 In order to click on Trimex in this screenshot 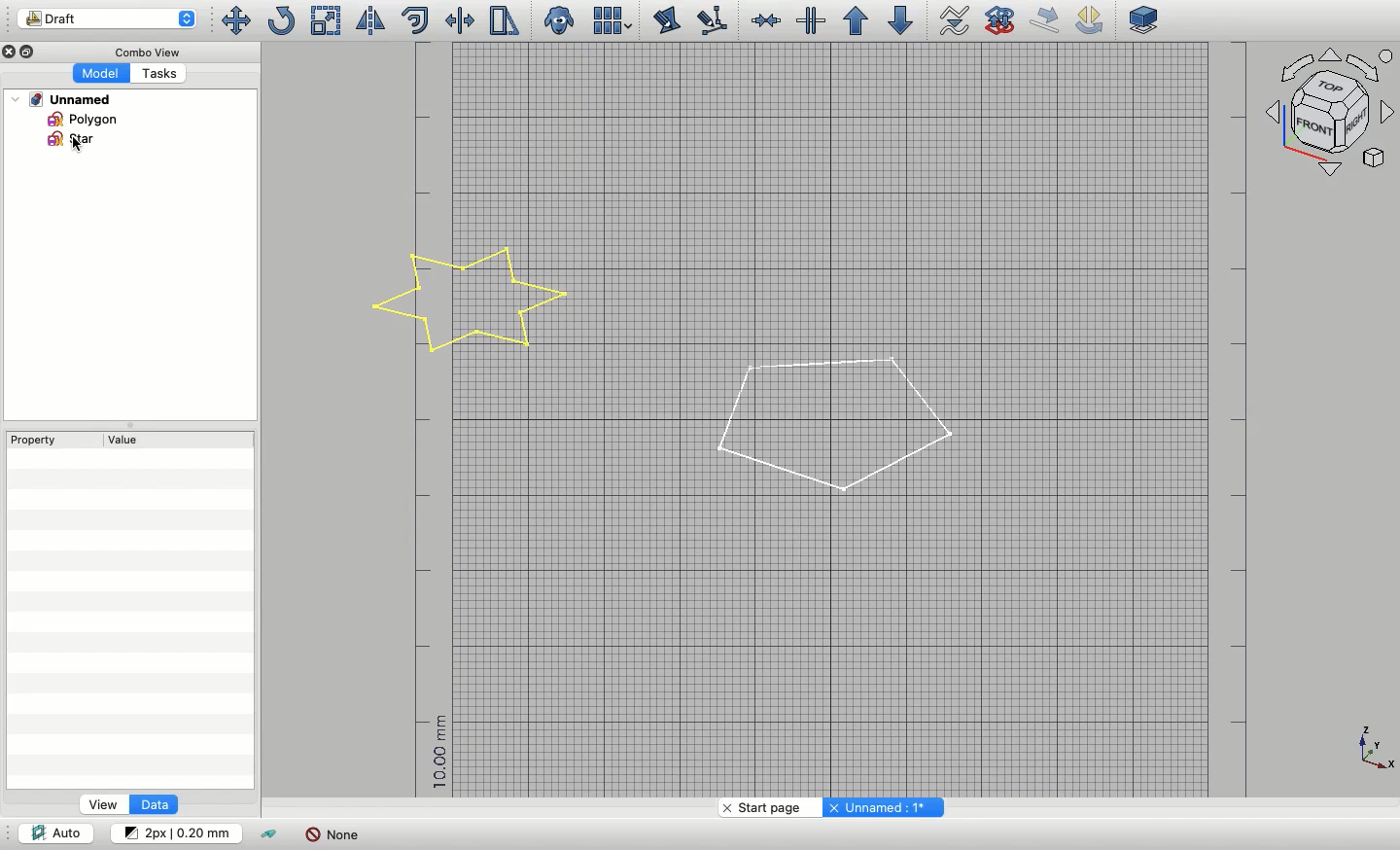, I will do `click(462, 20)`.